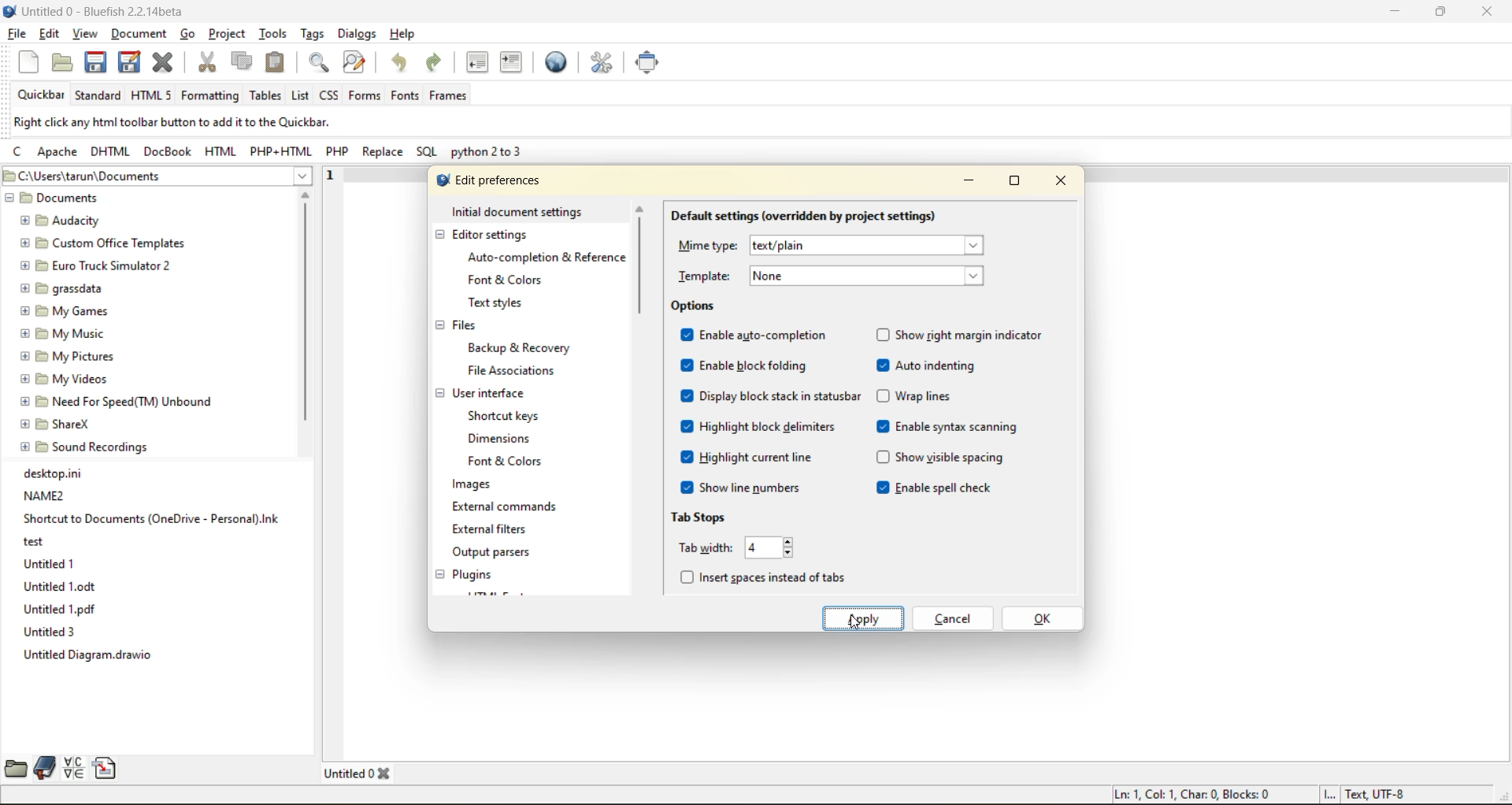 The image size is (1512, 805). What do you see at coordinates (964, 184) in the screenshot?
I see `minimize` at bounding box center [964, 184].